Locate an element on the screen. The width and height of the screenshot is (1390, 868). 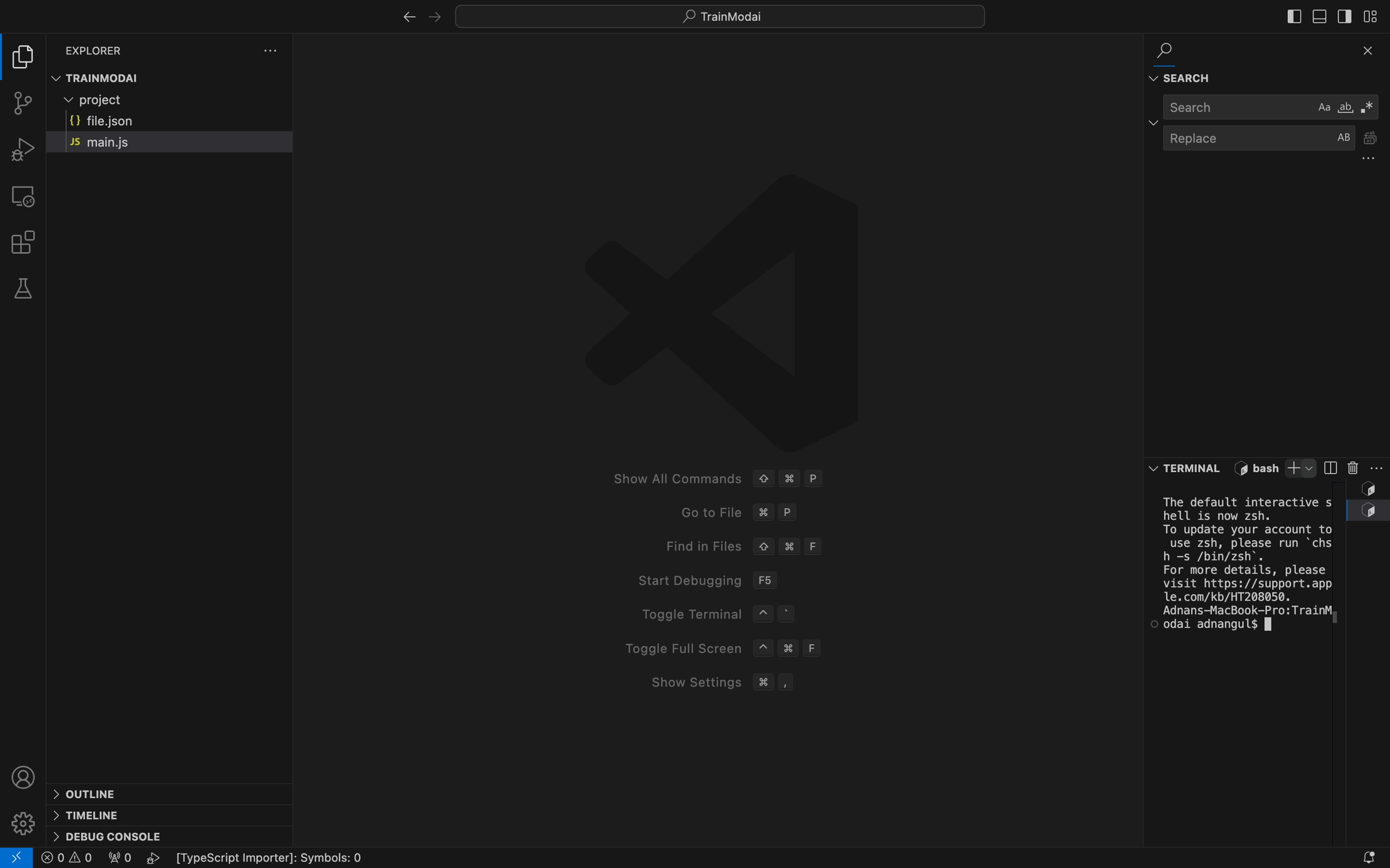
Go to file is located at coordinates (797, 514).